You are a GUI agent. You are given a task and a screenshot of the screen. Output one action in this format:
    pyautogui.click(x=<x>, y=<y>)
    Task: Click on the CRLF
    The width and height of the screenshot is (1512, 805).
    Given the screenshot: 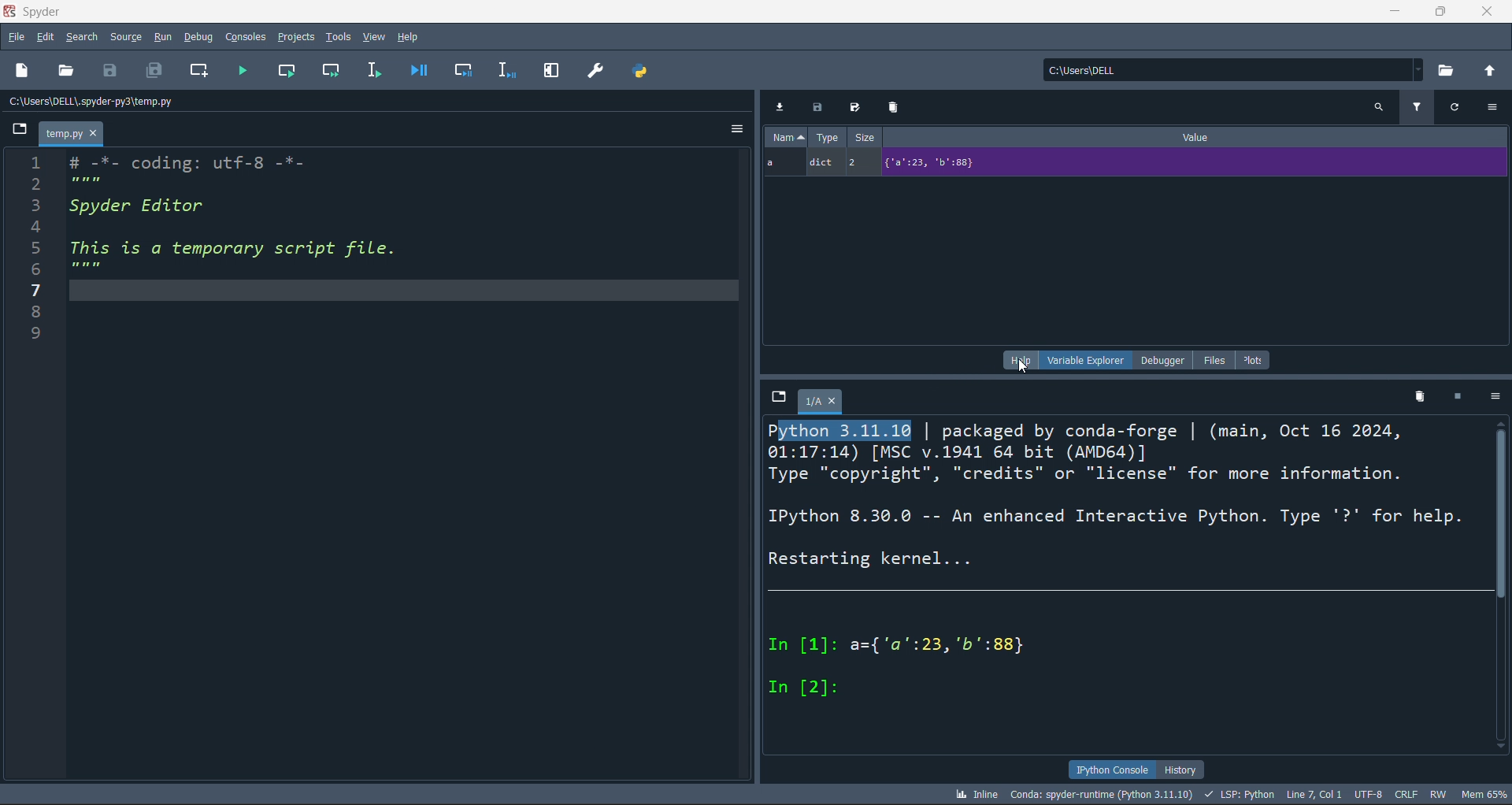 What is the action you would take?
    pyautogui.click(x=1407, y=794)
    